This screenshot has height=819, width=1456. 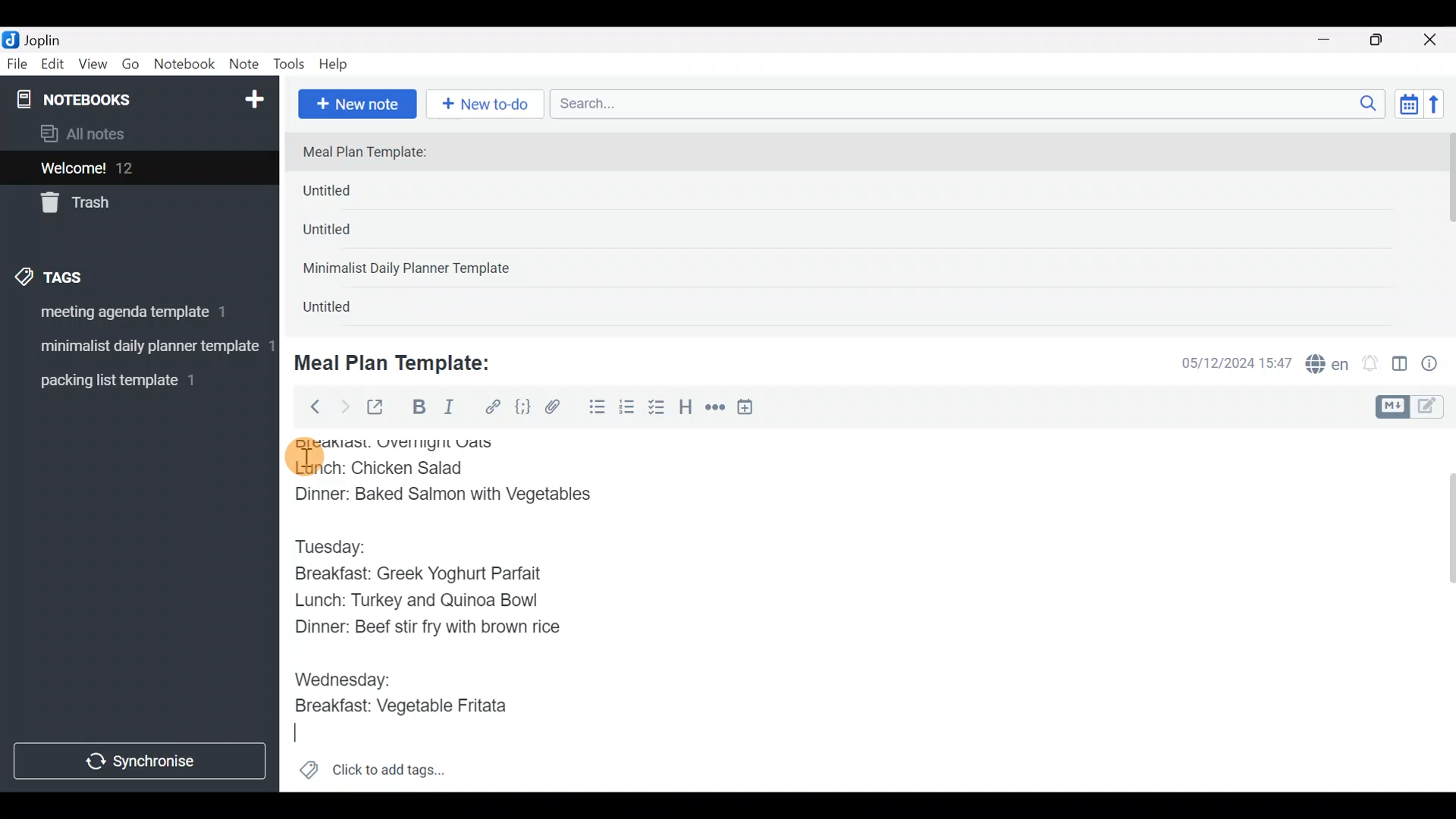 I want to click on Close, so click(x=1432, y=41).